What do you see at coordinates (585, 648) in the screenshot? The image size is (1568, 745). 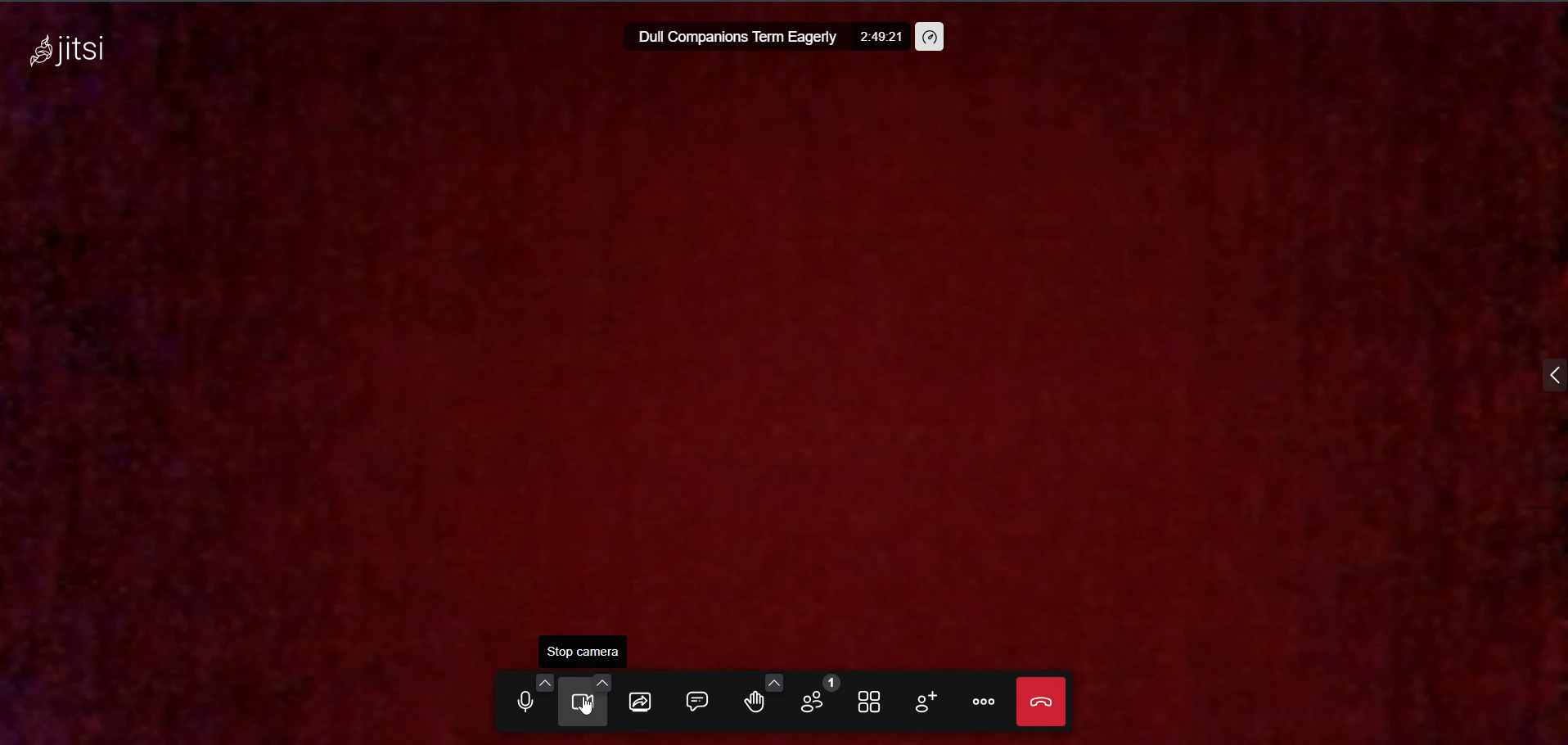 I see `stop camera` at bounding box center [585, 648].